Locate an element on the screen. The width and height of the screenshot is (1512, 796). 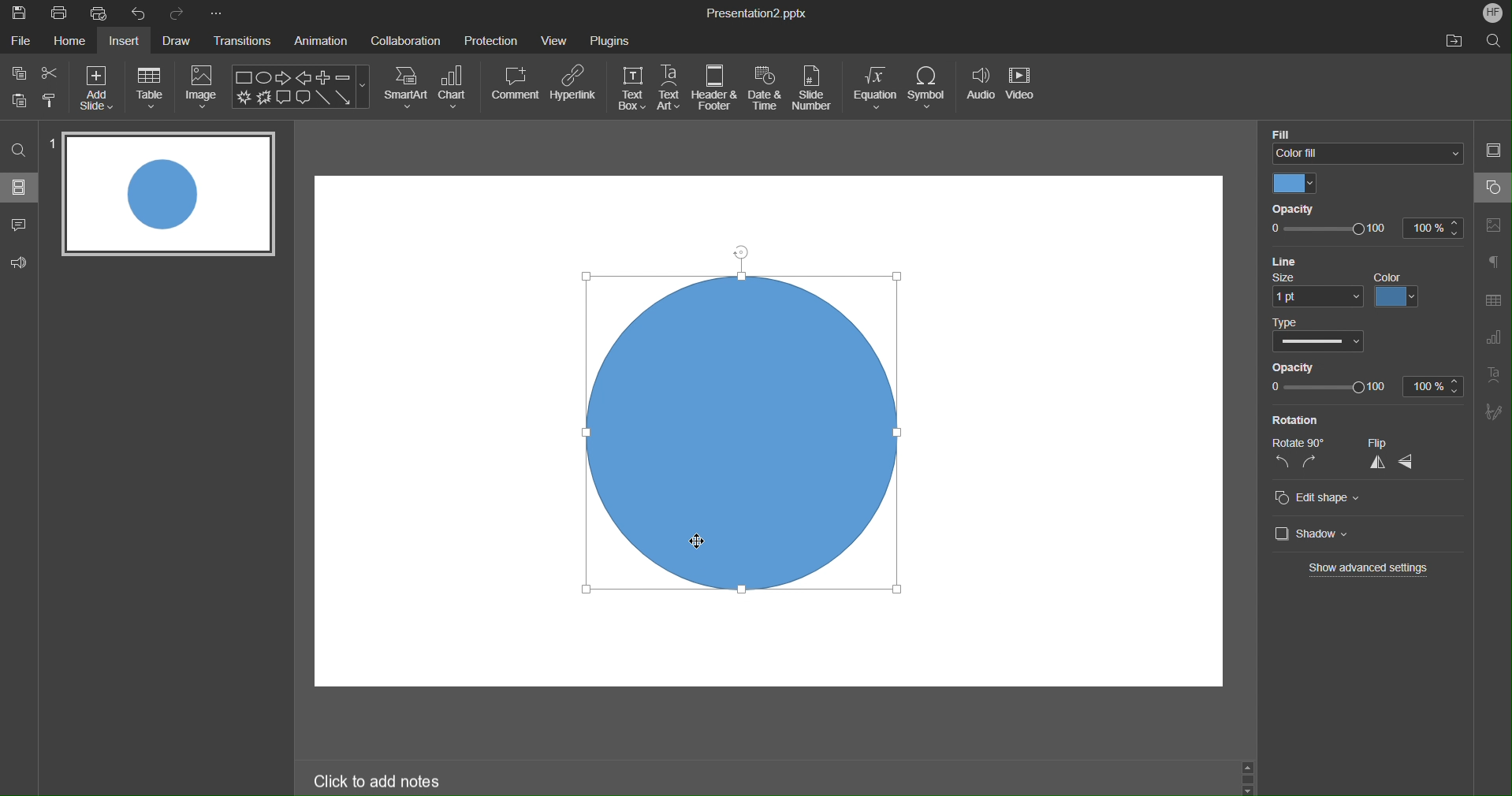
Text Box is located at coordinates (631, 88).